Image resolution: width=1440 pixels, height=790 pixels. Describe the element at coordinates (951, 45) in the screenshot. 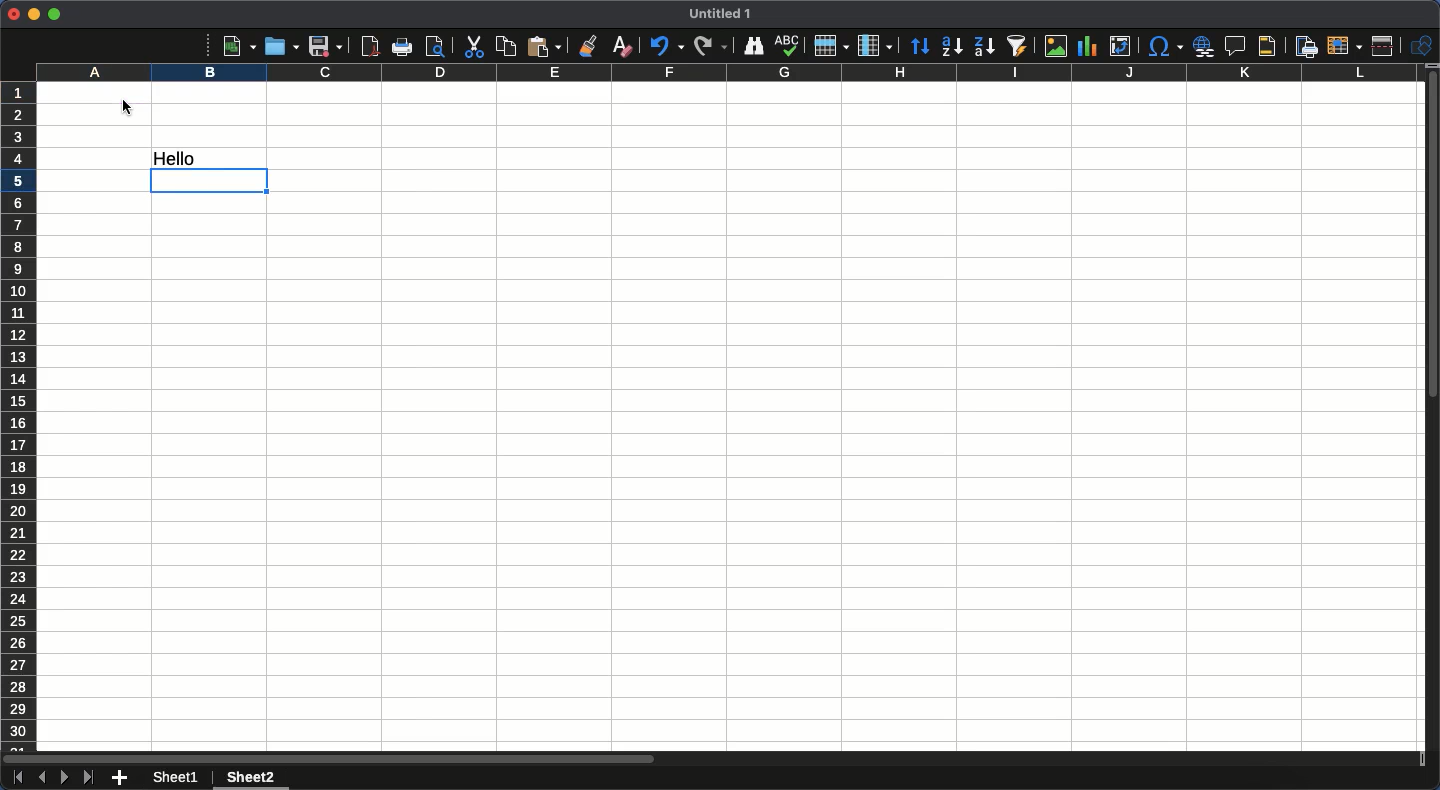

I see `Ascending` at that location.